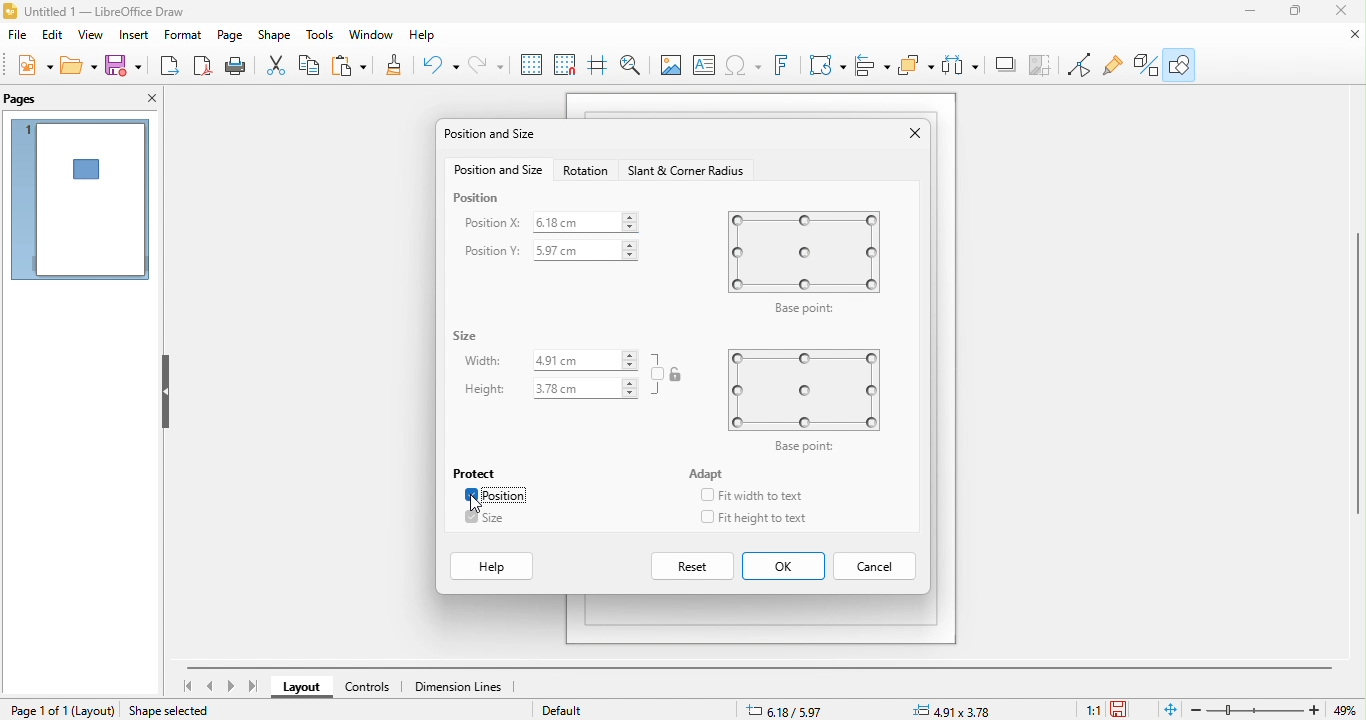 This screenshot has height=720, width=1366. What do you see at coordinates (114, 12) in the screenshot?
I see `untitled 1- libre office draw` at bounding box center [114, 12].